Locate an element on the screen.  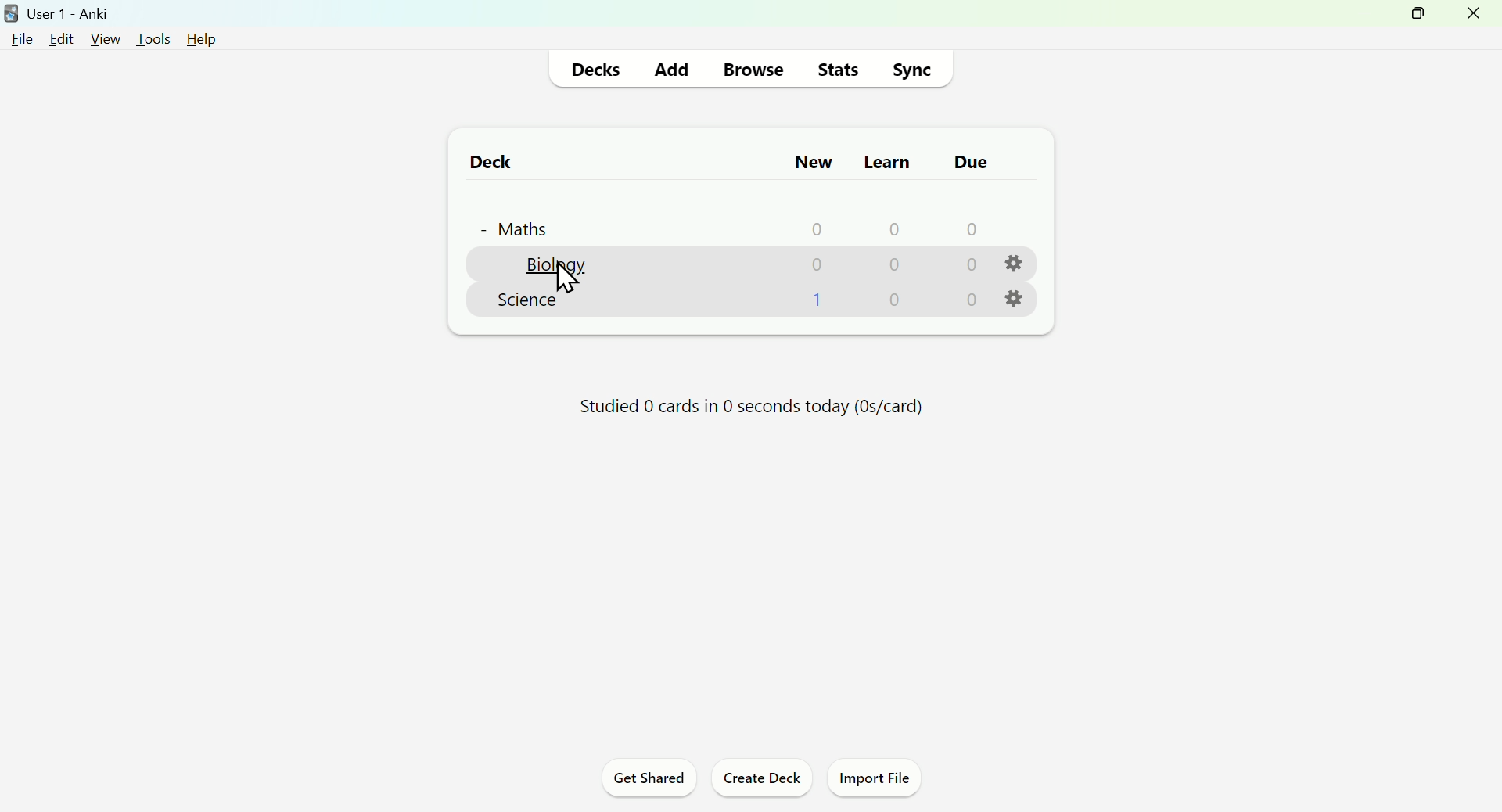
close is located at coordinates (1474, 16).